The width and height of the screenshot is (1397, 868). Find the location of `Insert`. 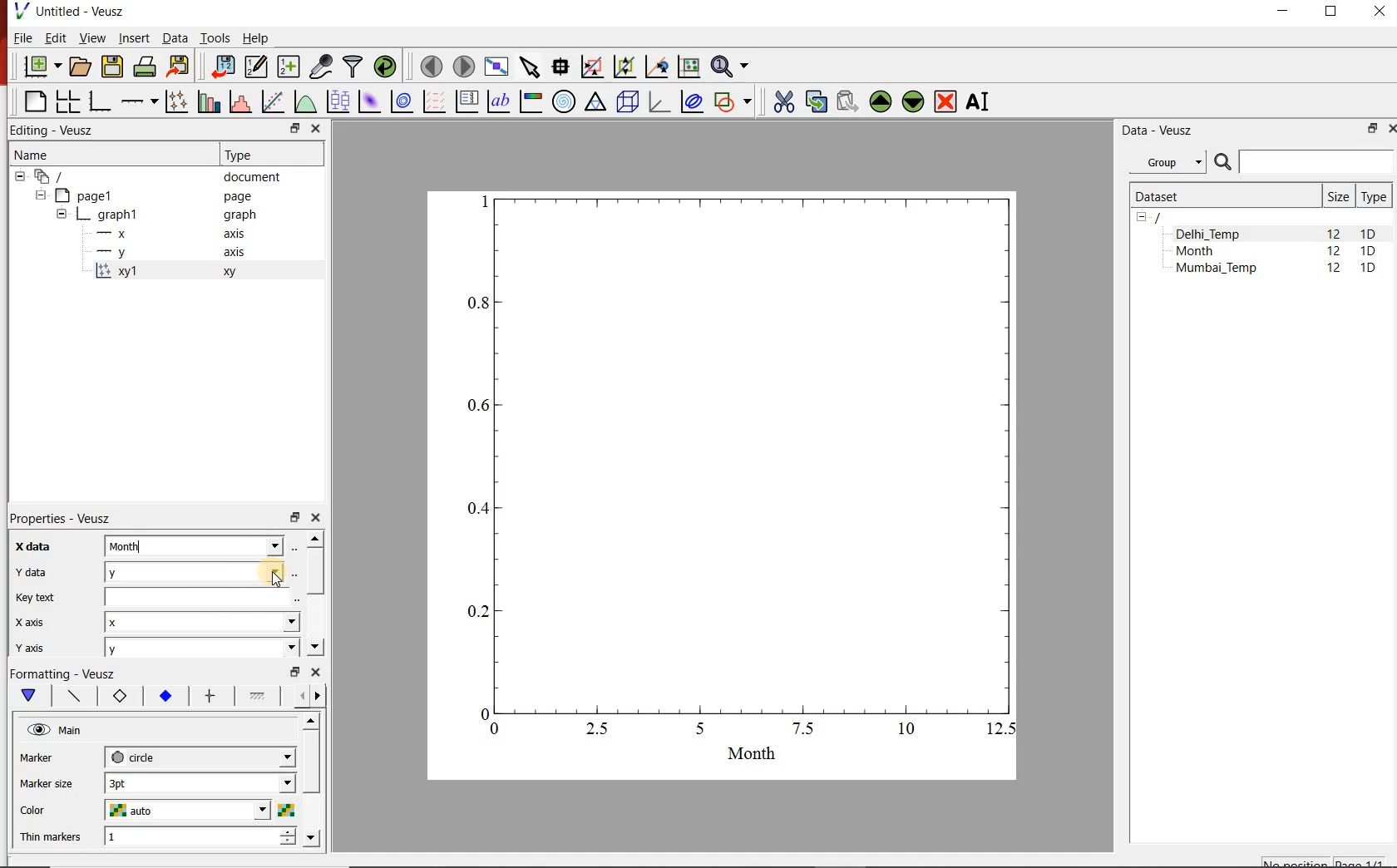

Insert is located at coordinates (133, 37).